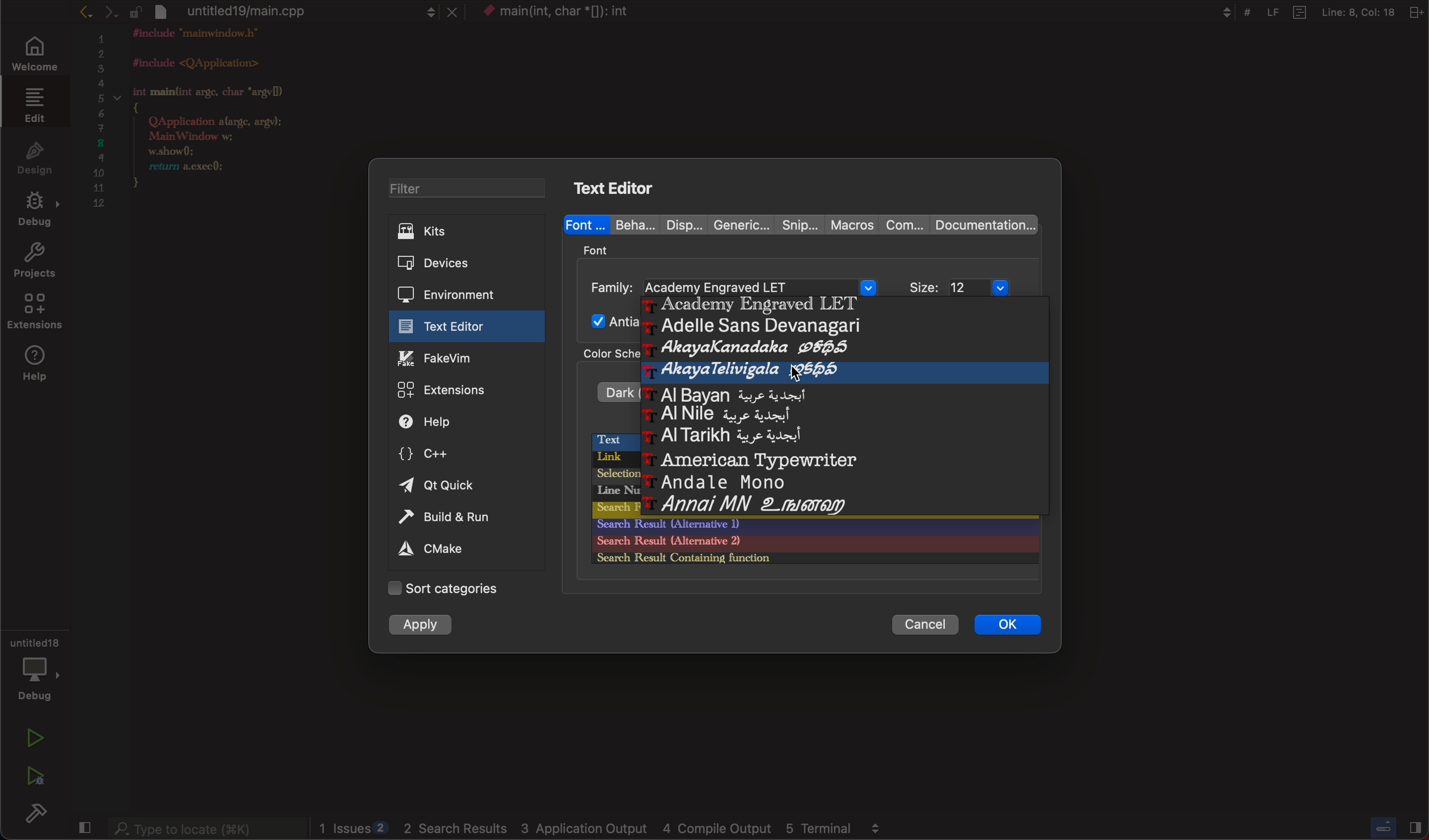  What do you see at coordinates (34, 107) in the screenshot?
I see `edit` at bounding box center [34, 107].